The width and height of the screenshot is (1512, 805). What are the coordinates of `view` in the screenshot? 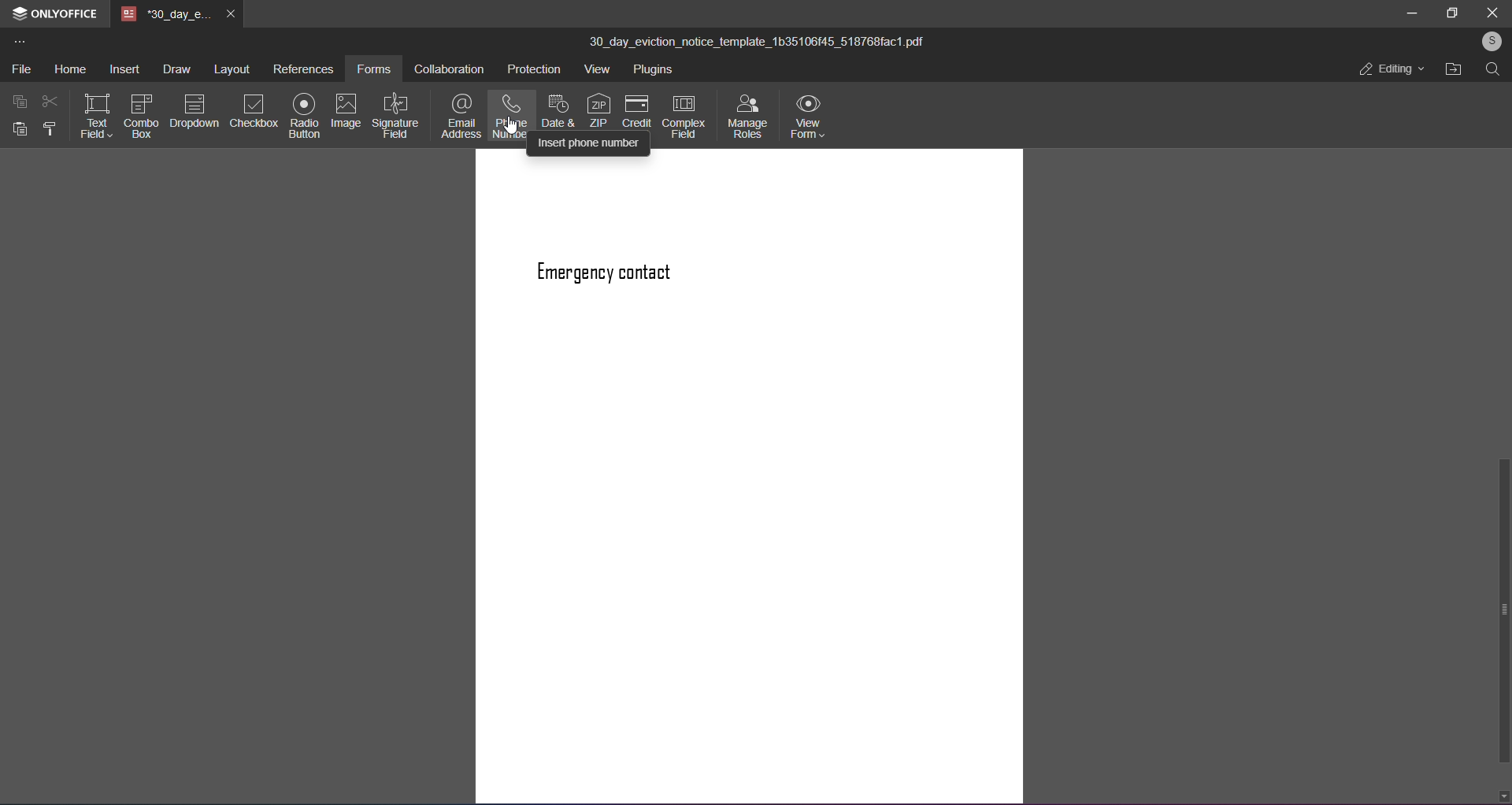 It's located at (597, 70).